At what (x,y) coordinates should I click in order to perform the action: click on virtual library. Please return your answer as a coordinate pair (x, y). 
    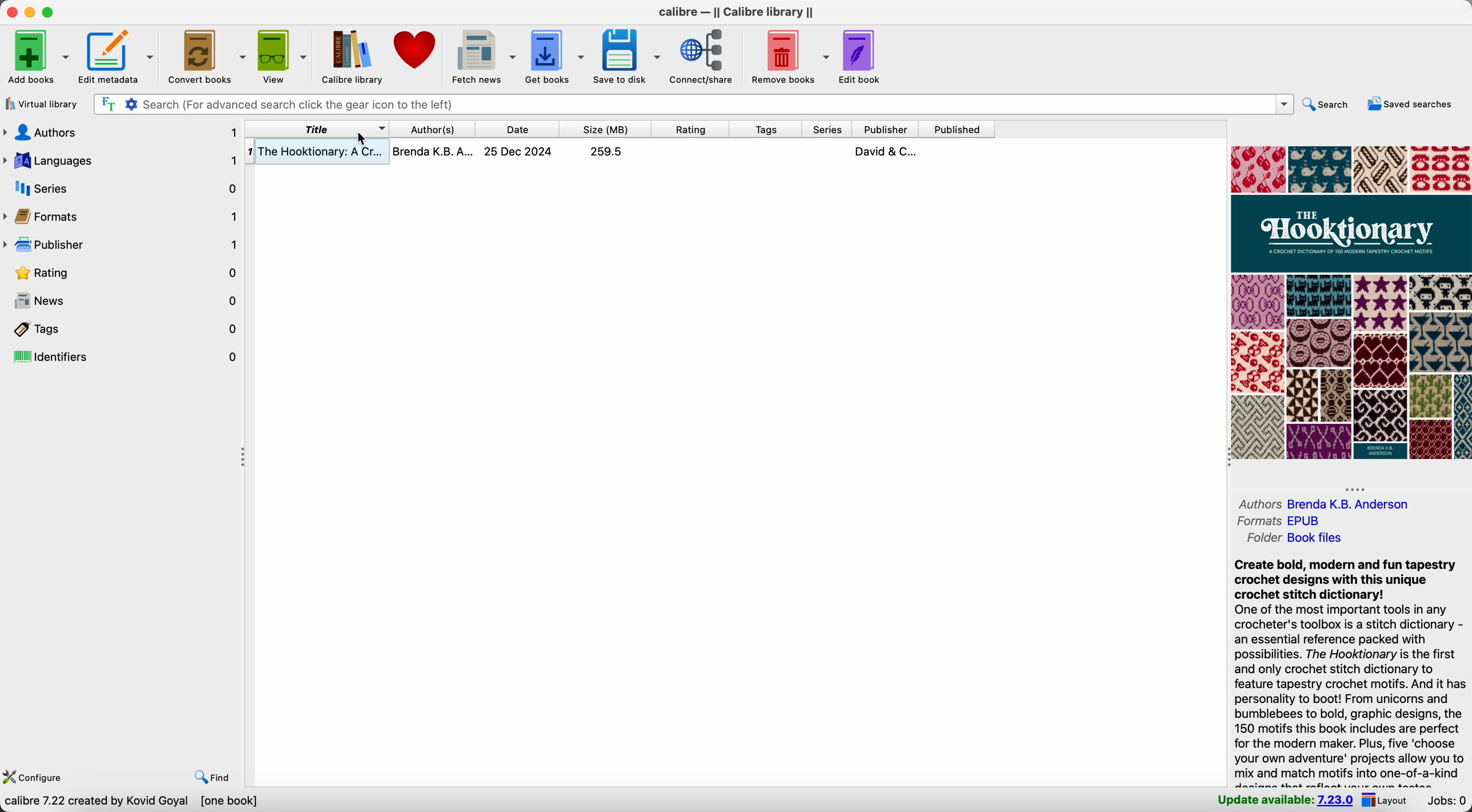
    Looking at the image, I should click on (44, 104).